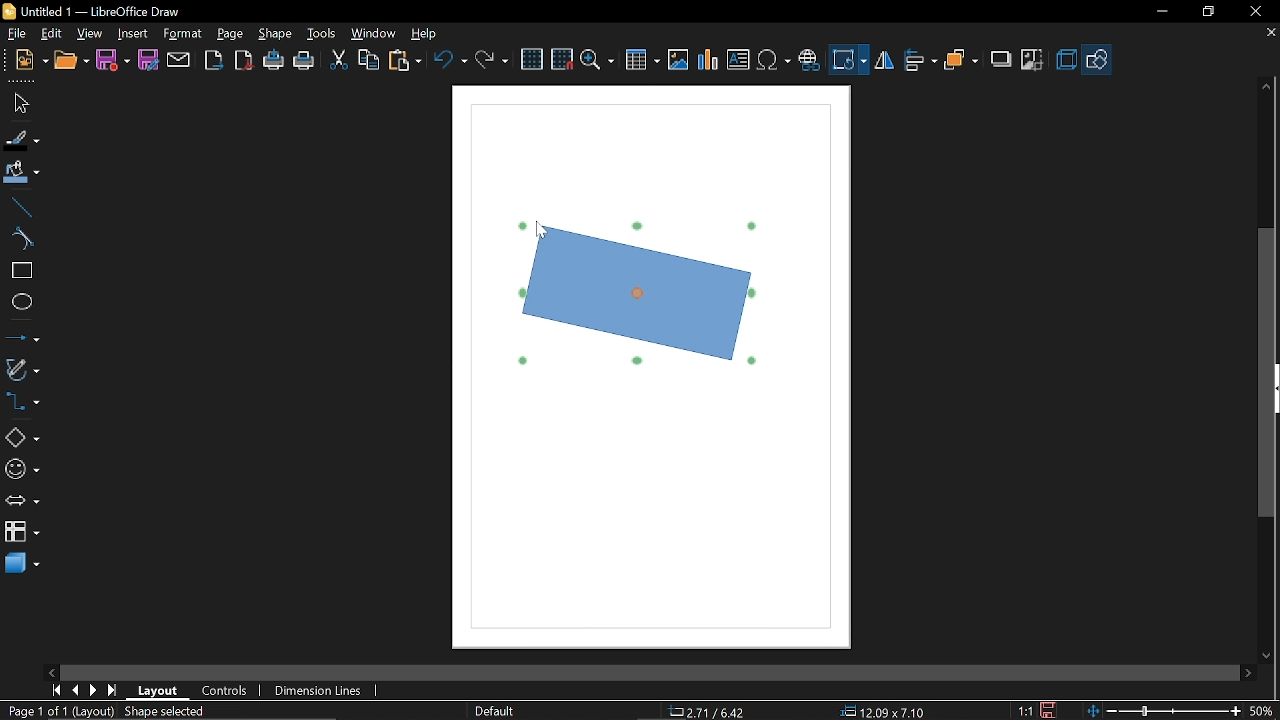 This screenshot has height=720, width=1280. Describe the element at coordinates (1247, 673) in the screenshot. I see `Move right` at that location.